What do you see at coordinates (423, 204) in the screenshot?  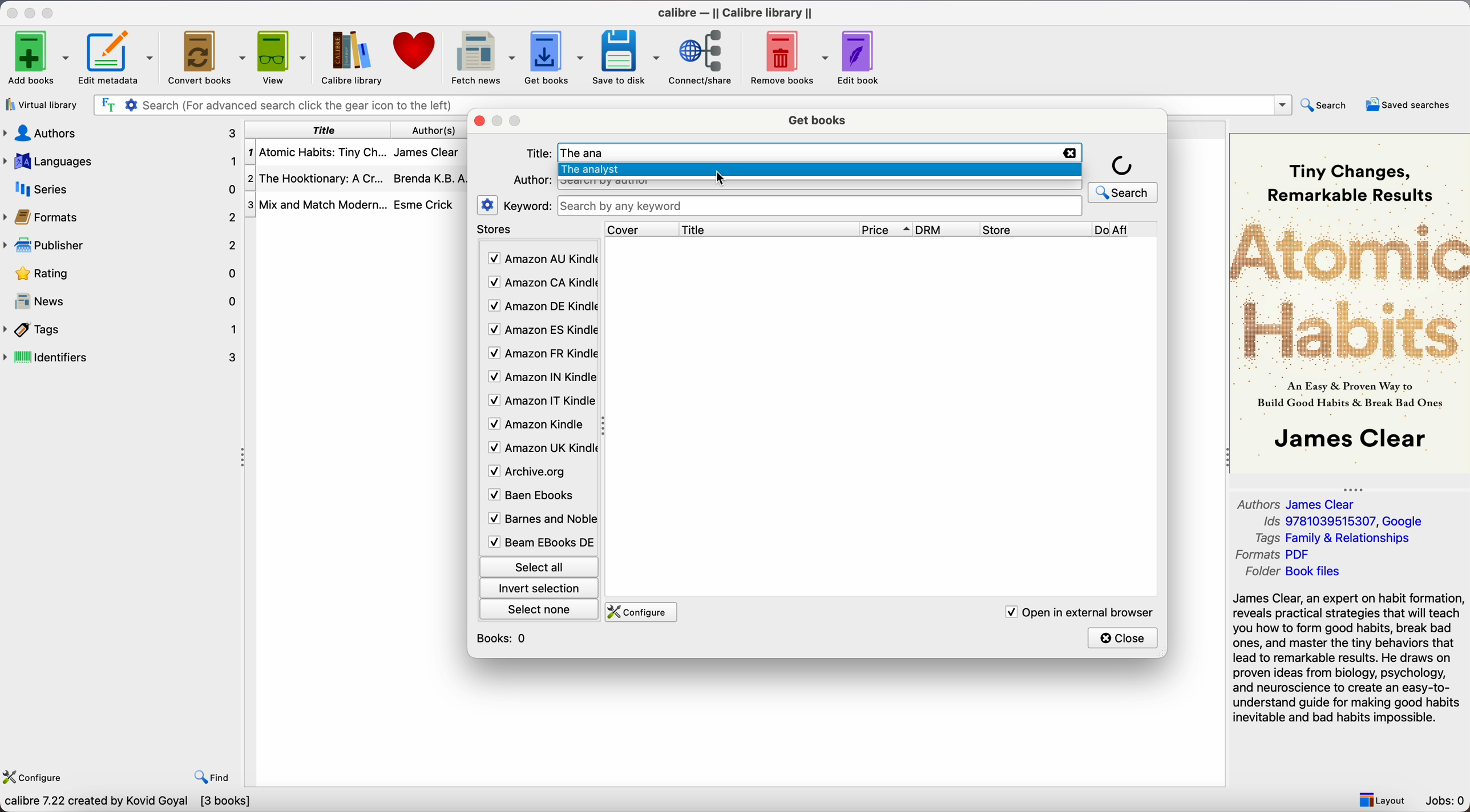 I see `Esme Crick` at bounding box center [423, 204].